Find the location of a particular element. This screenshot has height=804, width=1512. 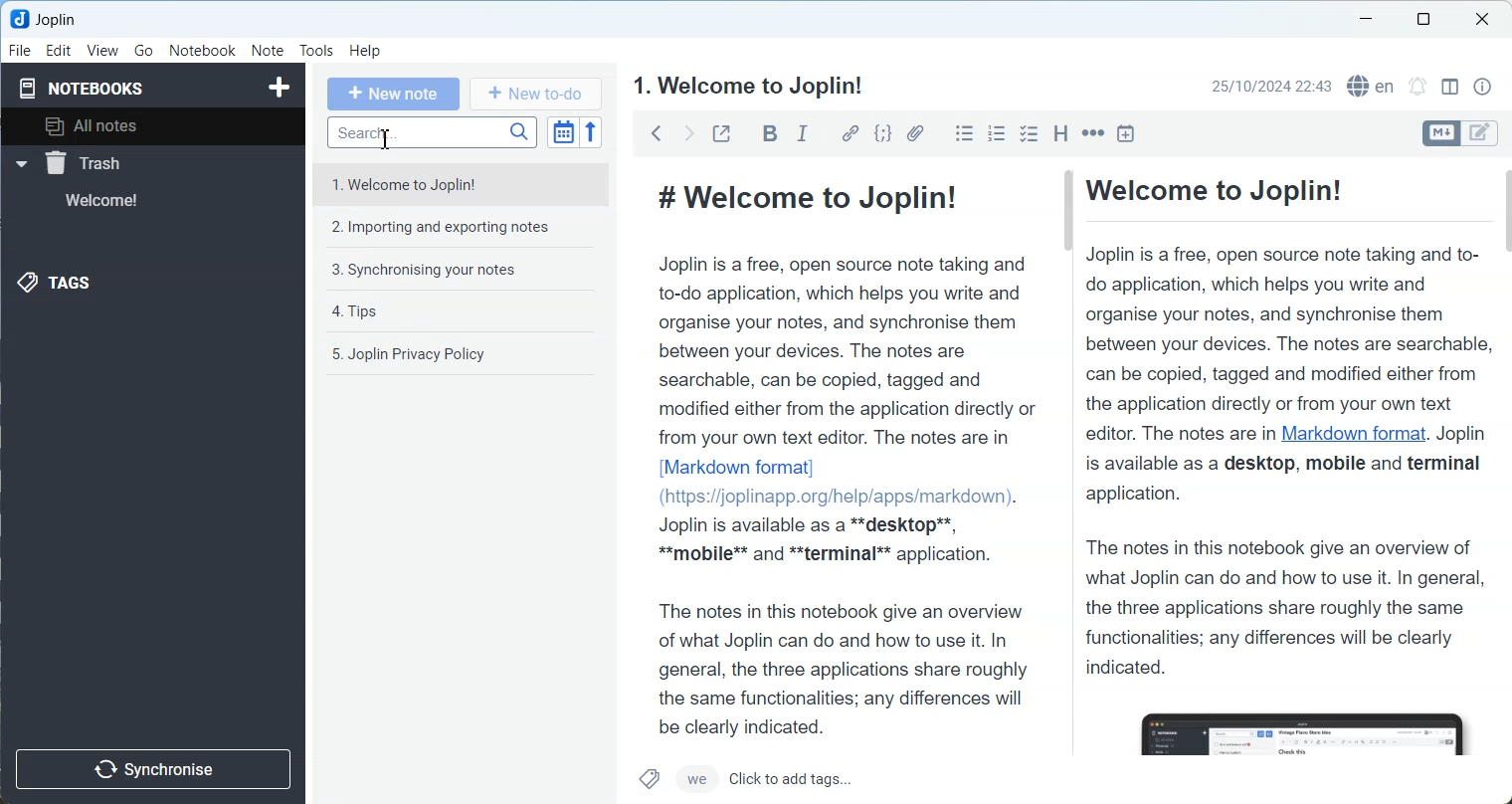

Trash is located at coordinates (128, 162).